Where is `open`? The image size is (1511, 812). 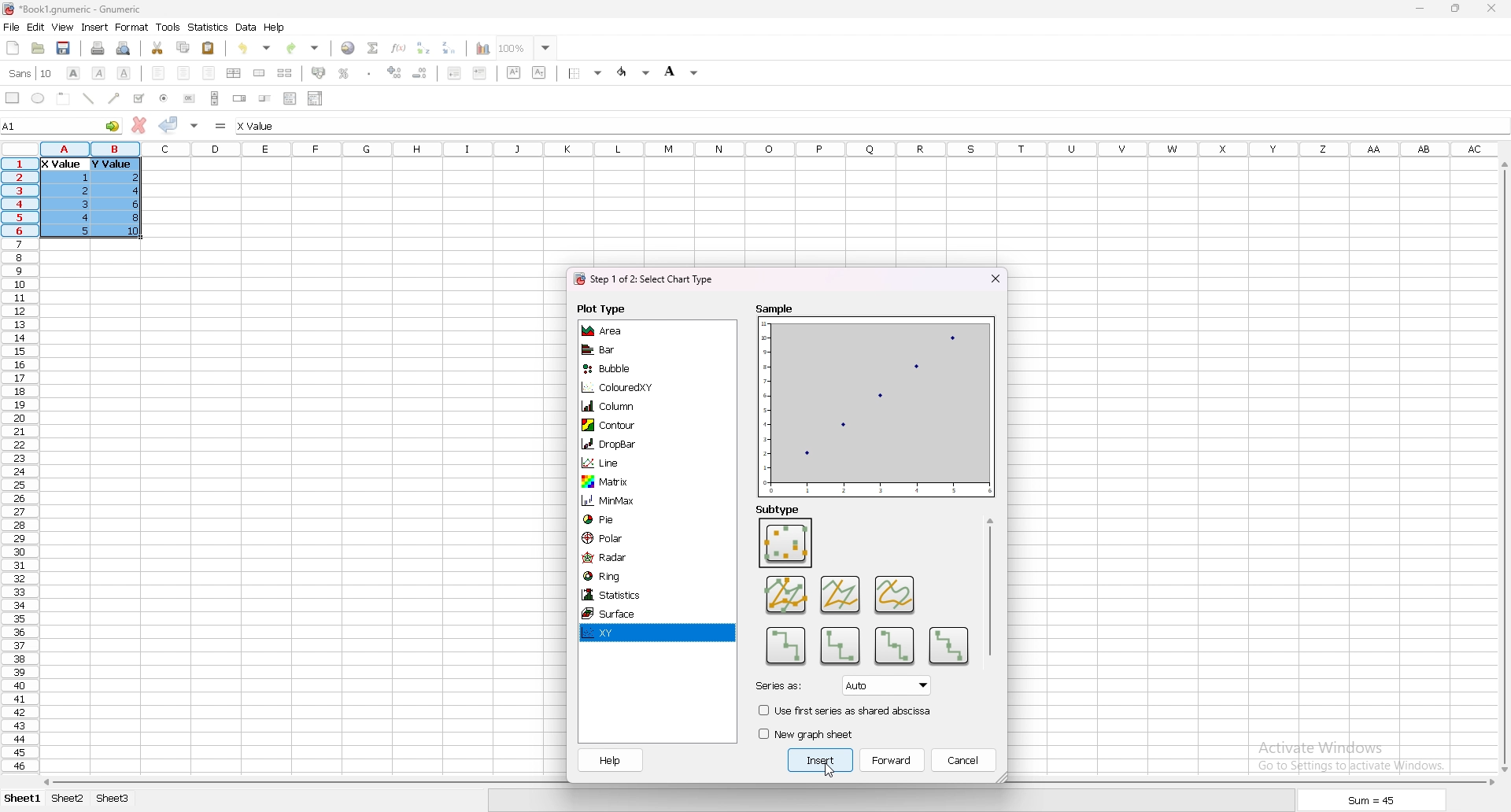
open is located at coordinates (38, 48).